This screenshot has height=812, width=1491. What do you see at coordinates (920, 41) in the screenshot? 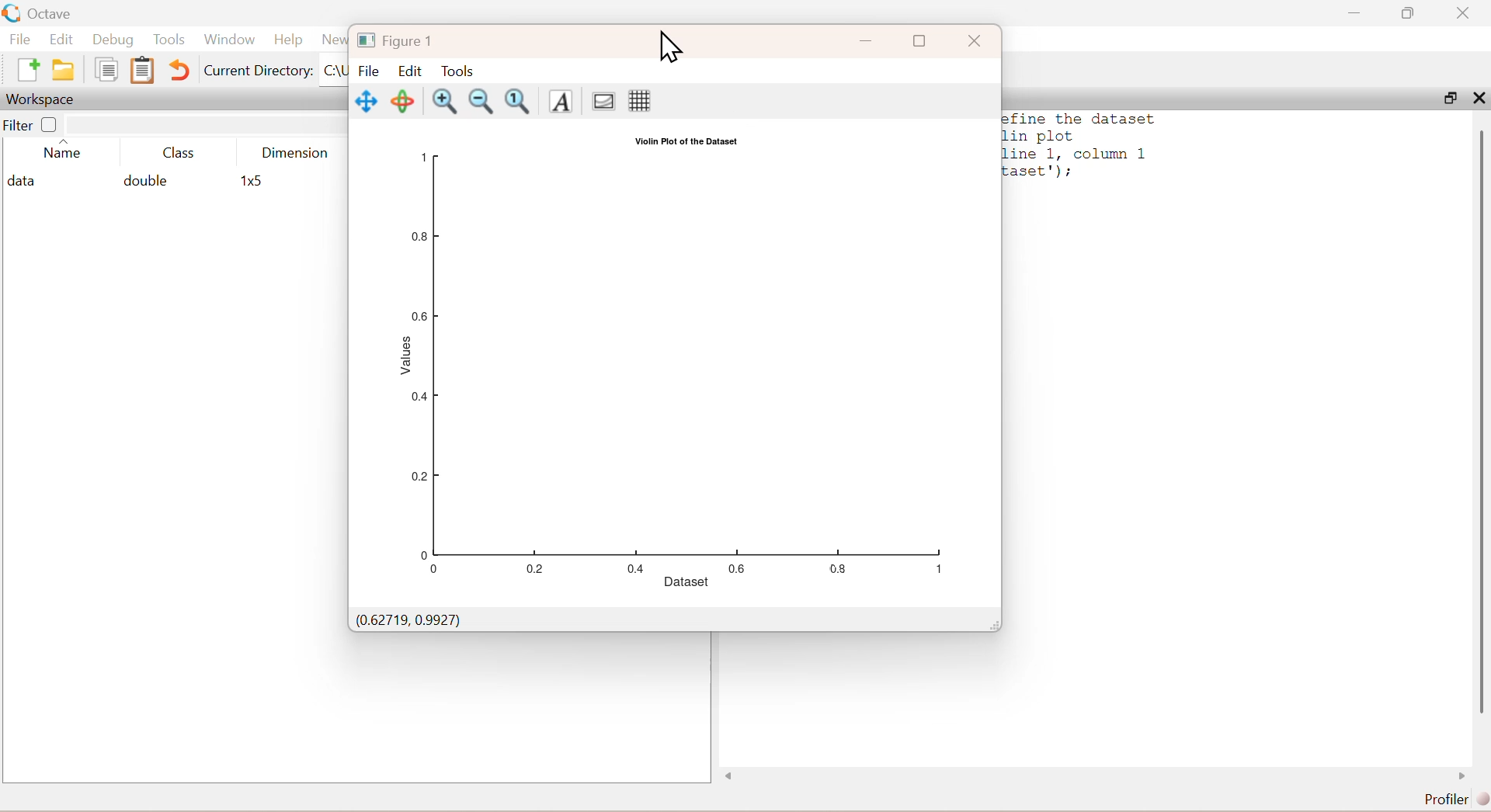
I see `Maximise ` at bounding box center [920, 41].